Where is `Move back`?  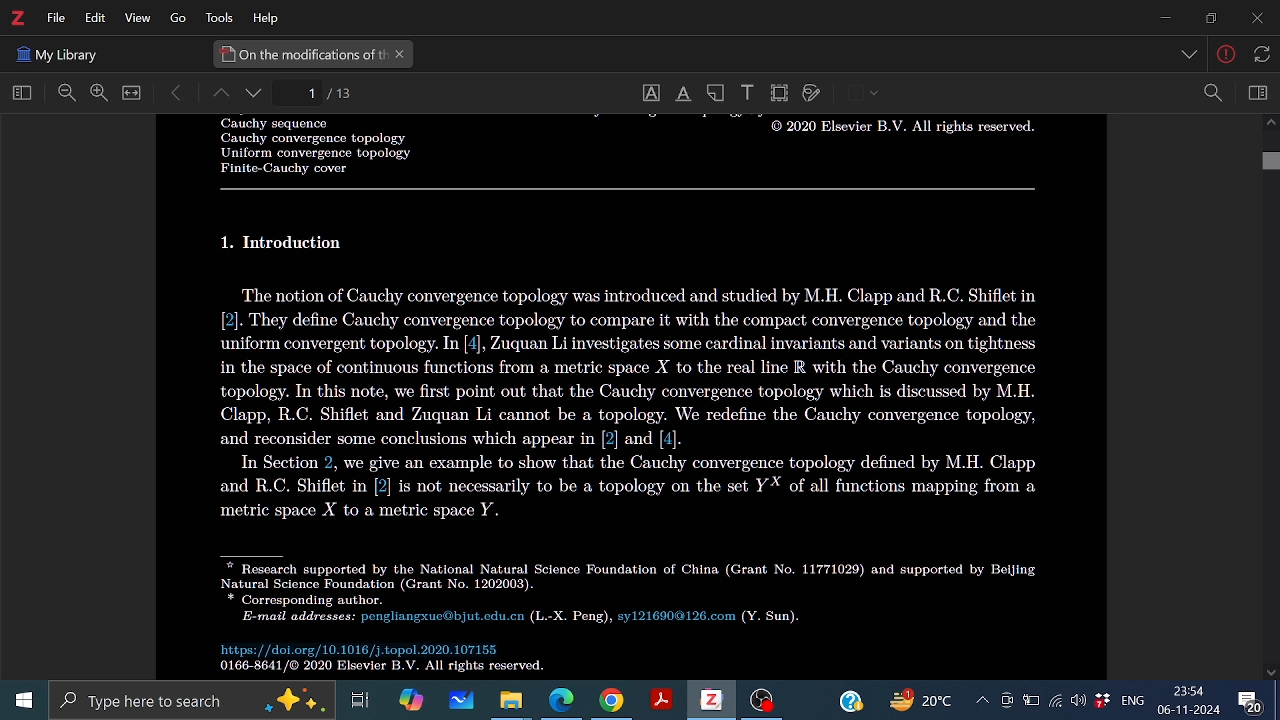 Move back is located at coordinates (177, 93).